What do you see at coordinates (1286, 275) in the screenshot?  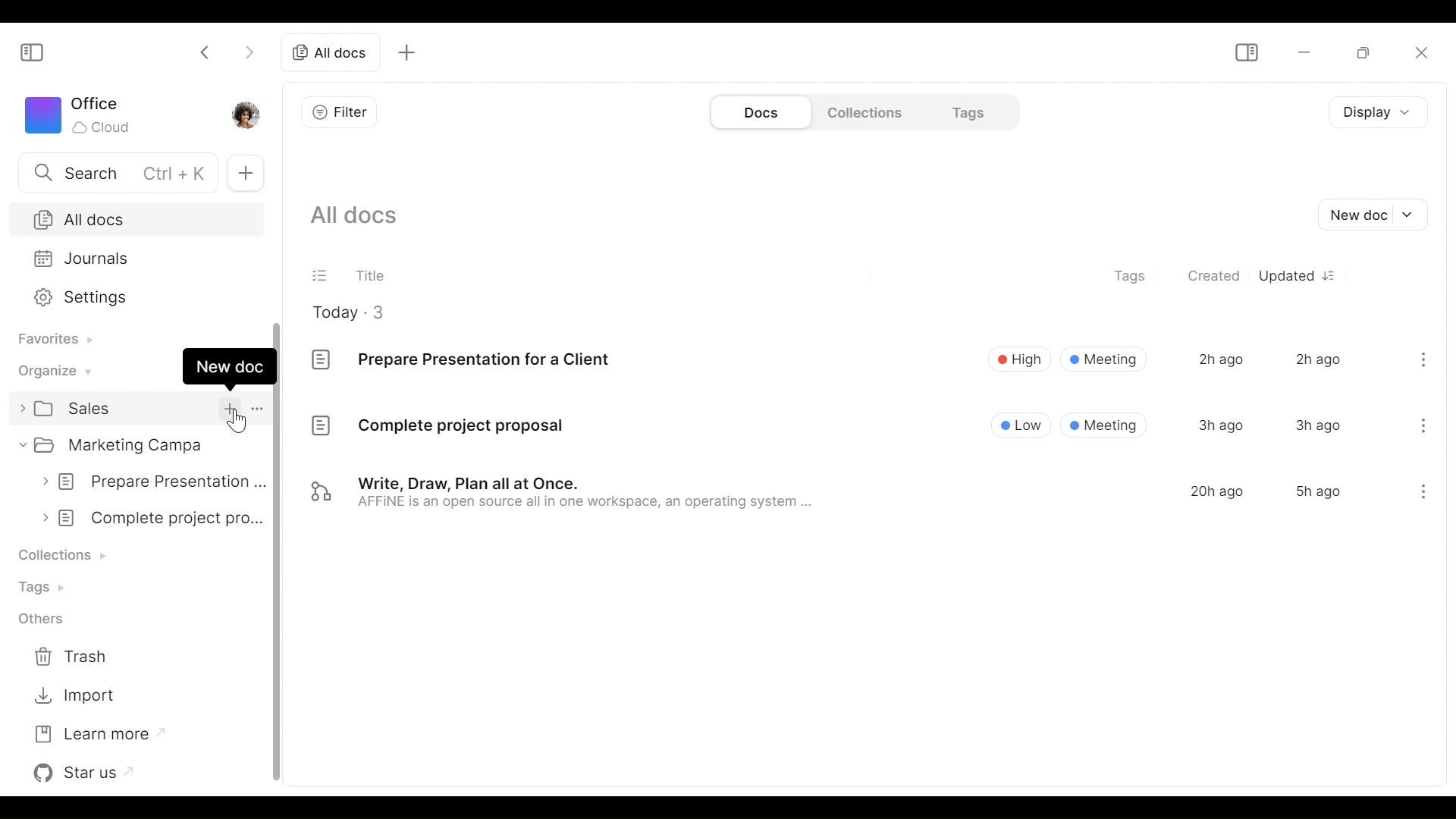 I see `Updated` at bounding box center [1286, 275].